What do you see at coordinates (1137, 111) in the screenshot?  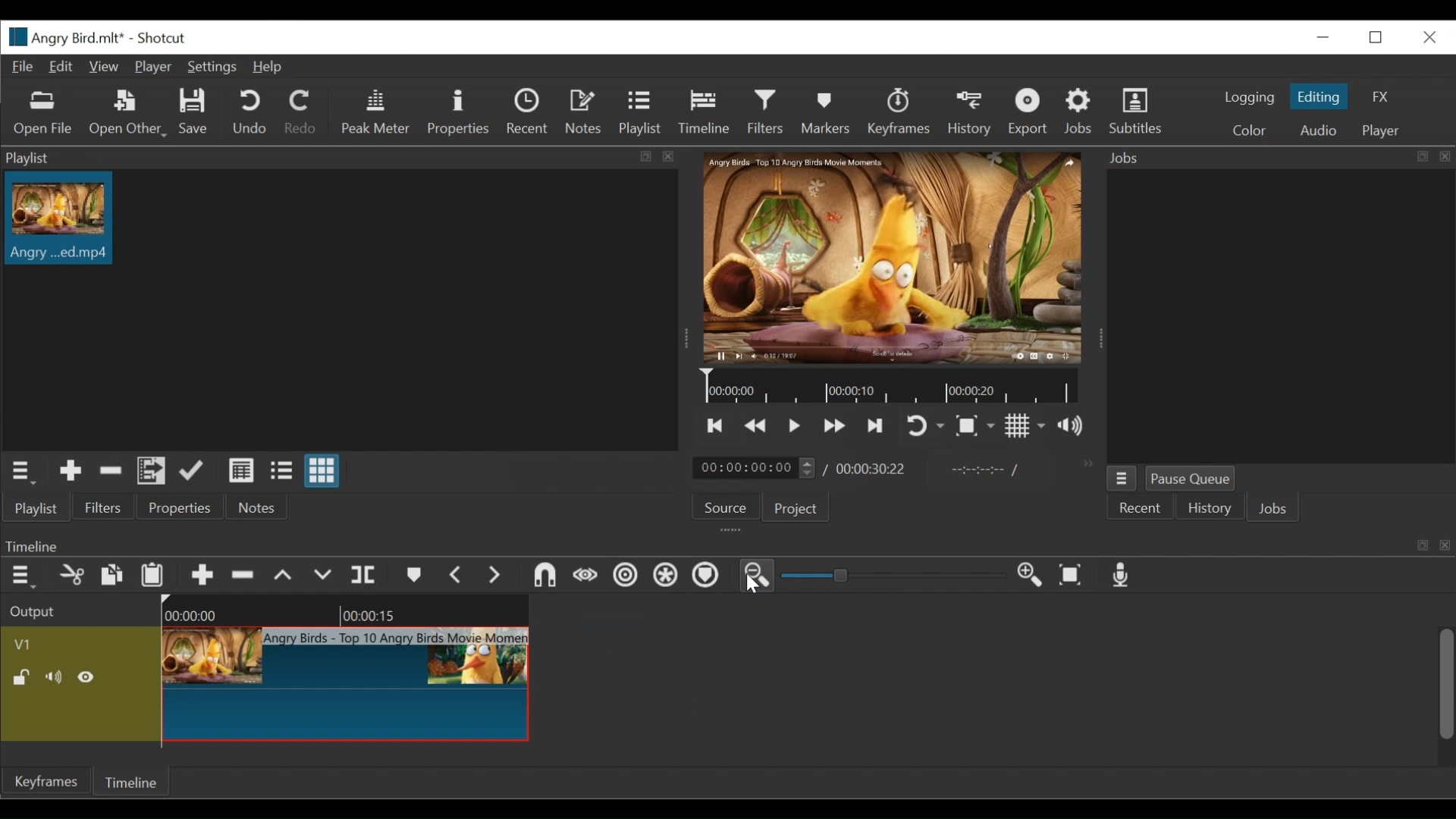 I see `Subtitles` at bounding box center [1137, 111].